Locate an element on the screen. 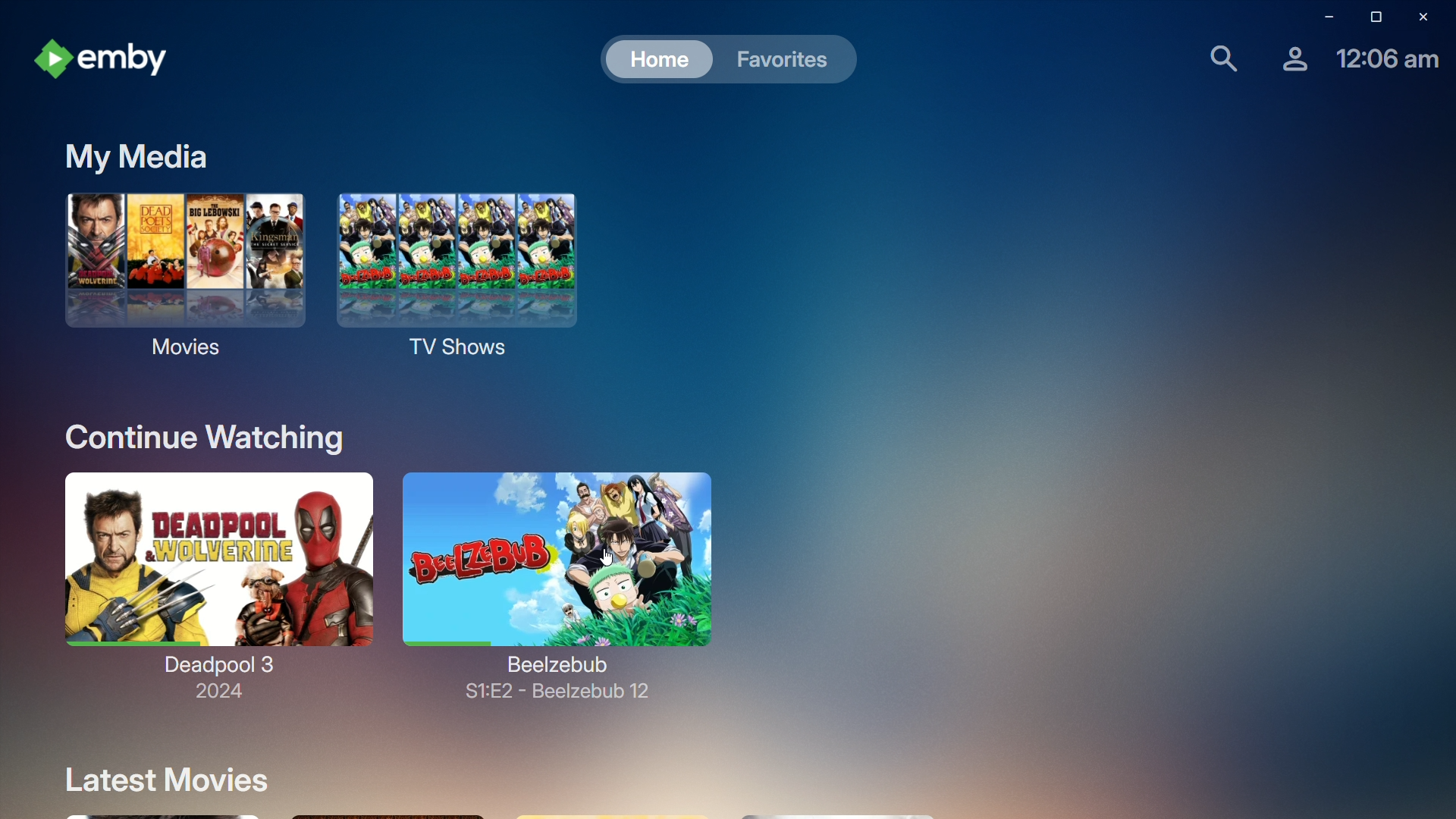 This screenshot has height=819, width=1456. Favorites is located at coordinates (777, 61).